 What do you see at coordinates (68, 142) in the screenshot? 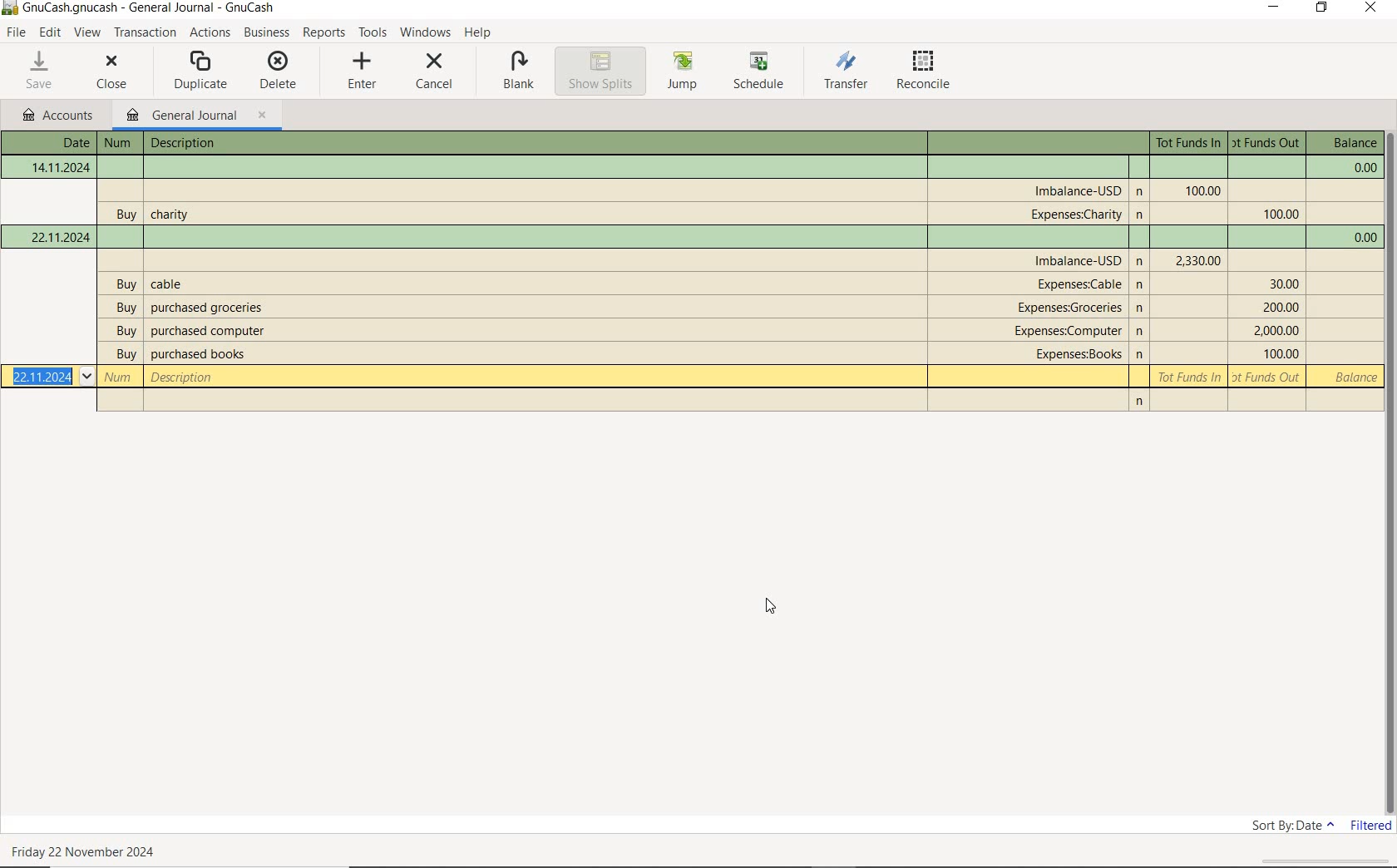
I see `Date` at bounding box center [68, 142].